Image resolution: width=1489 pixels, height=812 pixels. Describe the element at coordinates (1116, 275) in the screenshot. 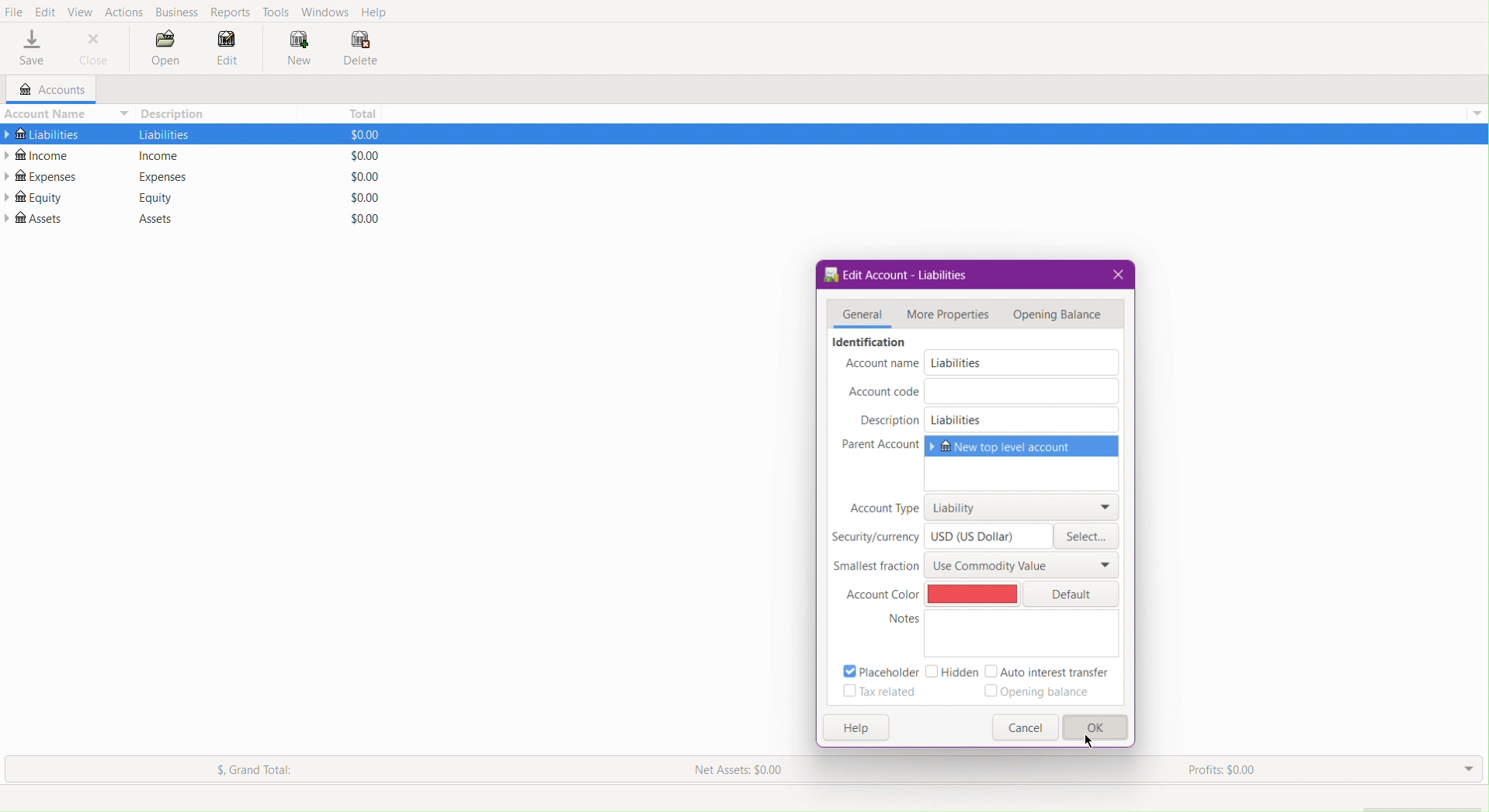

I see `Close` at that location.